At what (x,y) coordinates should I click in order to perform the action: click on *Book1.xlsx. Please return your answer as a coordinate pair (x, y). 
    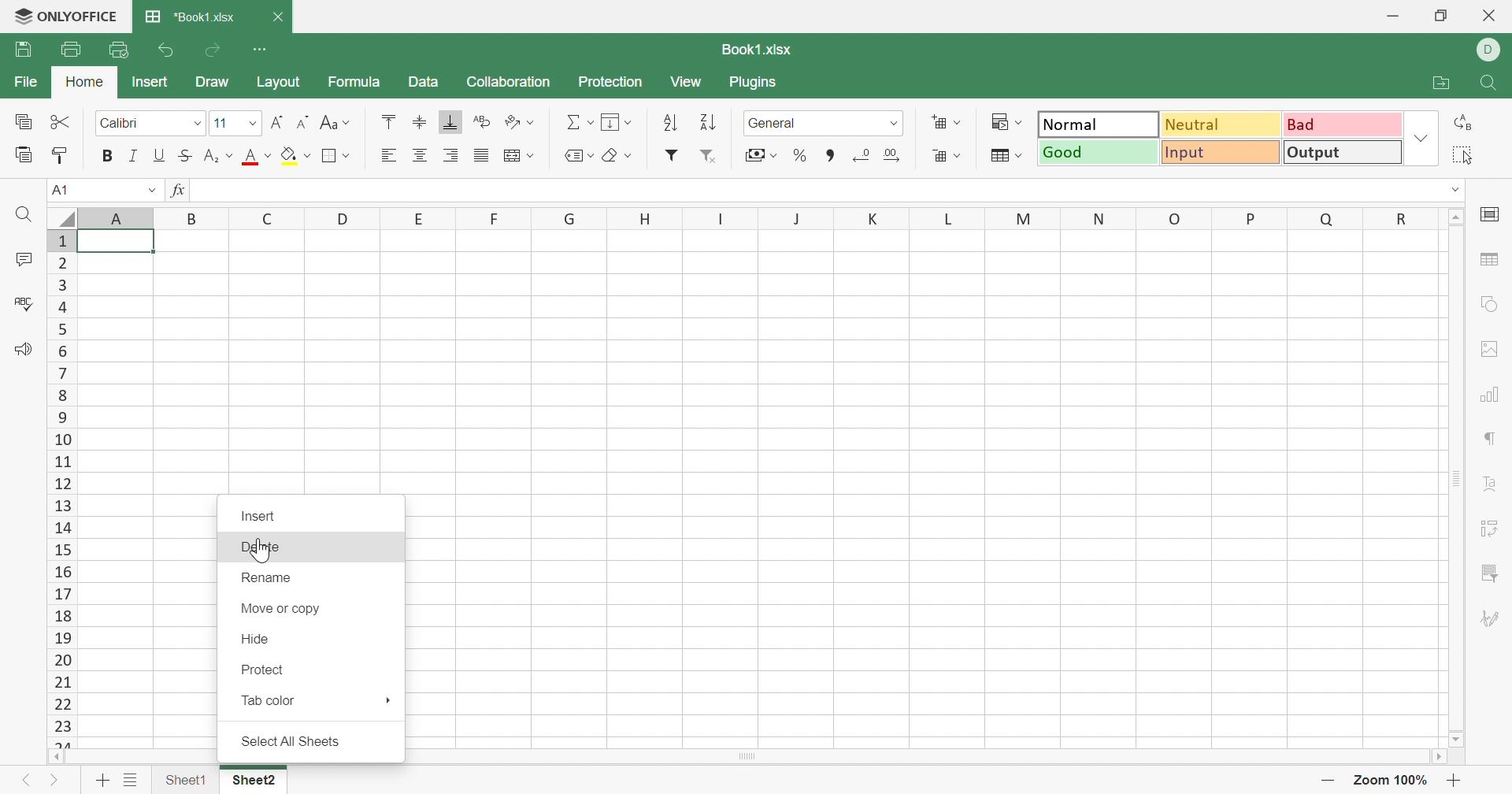
    Looking at the image, I should click on (194, 14).